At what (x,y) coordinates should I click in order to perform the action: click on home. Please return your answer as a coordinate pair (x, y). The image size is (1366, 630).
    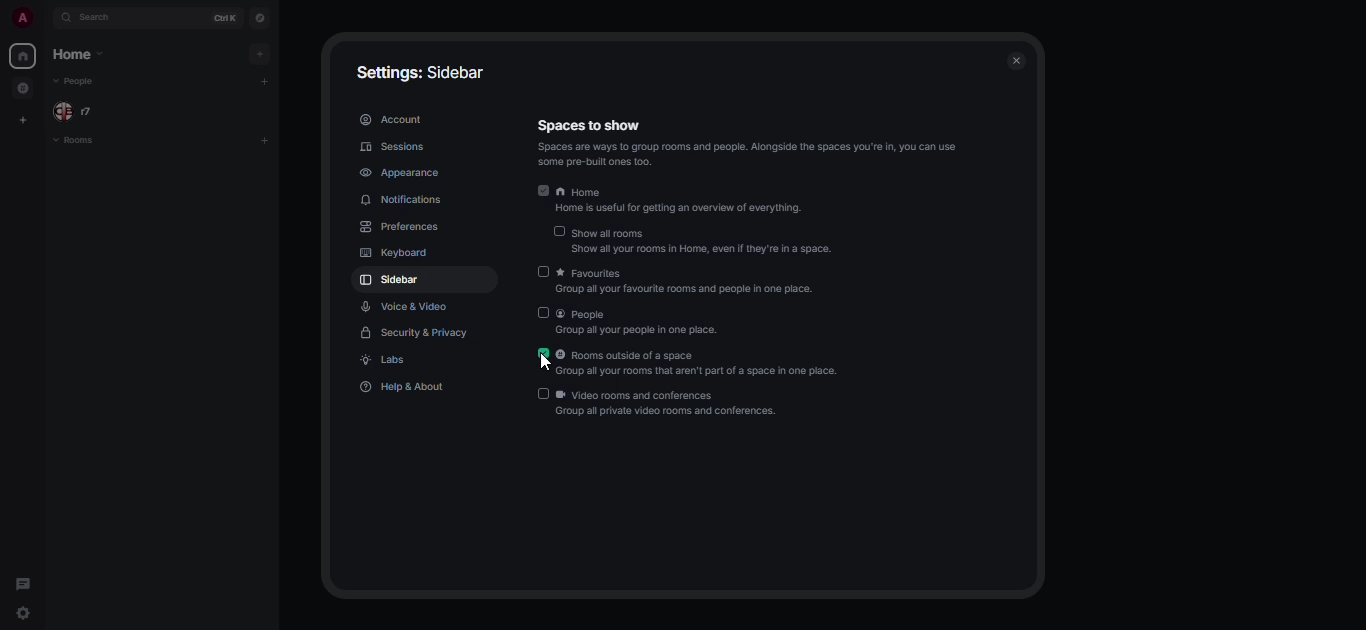
    Looking at the image, I should click on (22, 55).